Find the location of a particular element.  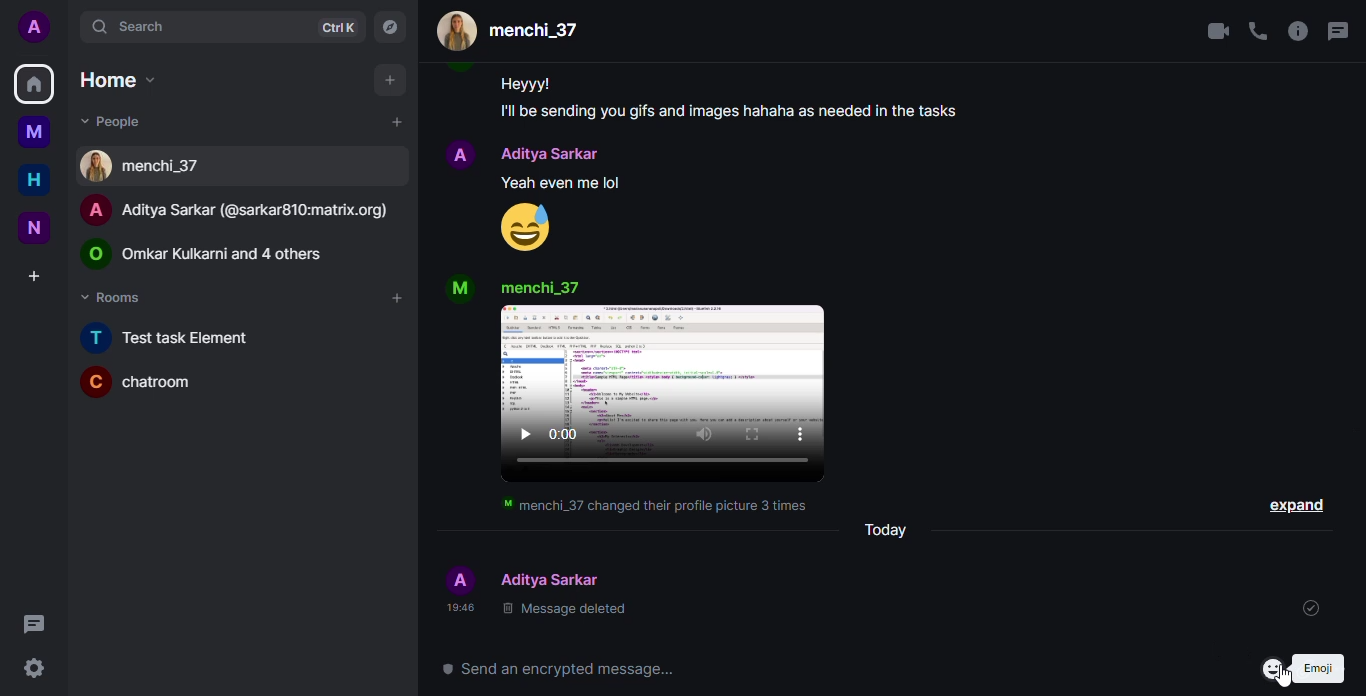

people is located at coordinates (514, 31).